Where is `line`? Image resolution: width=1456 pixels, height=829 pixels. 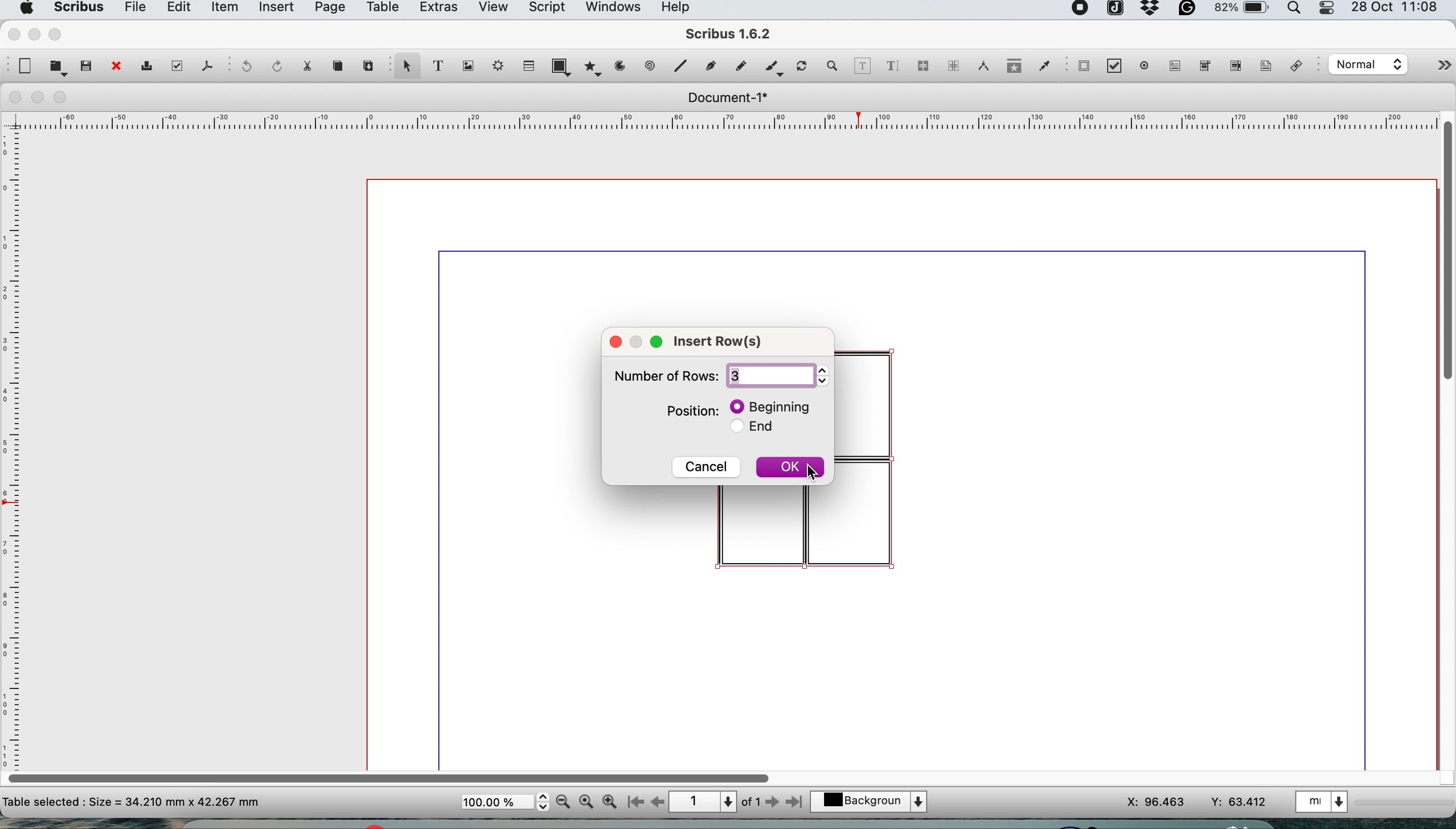 line is located at coordinates (679, 65).